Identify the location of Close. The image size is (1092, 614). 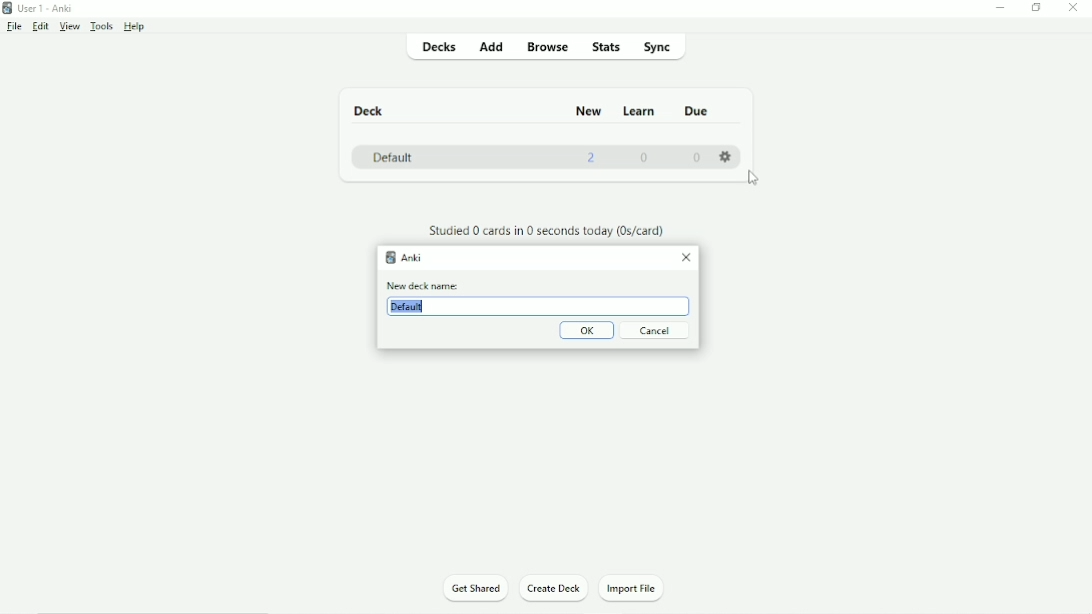
(686, 258).